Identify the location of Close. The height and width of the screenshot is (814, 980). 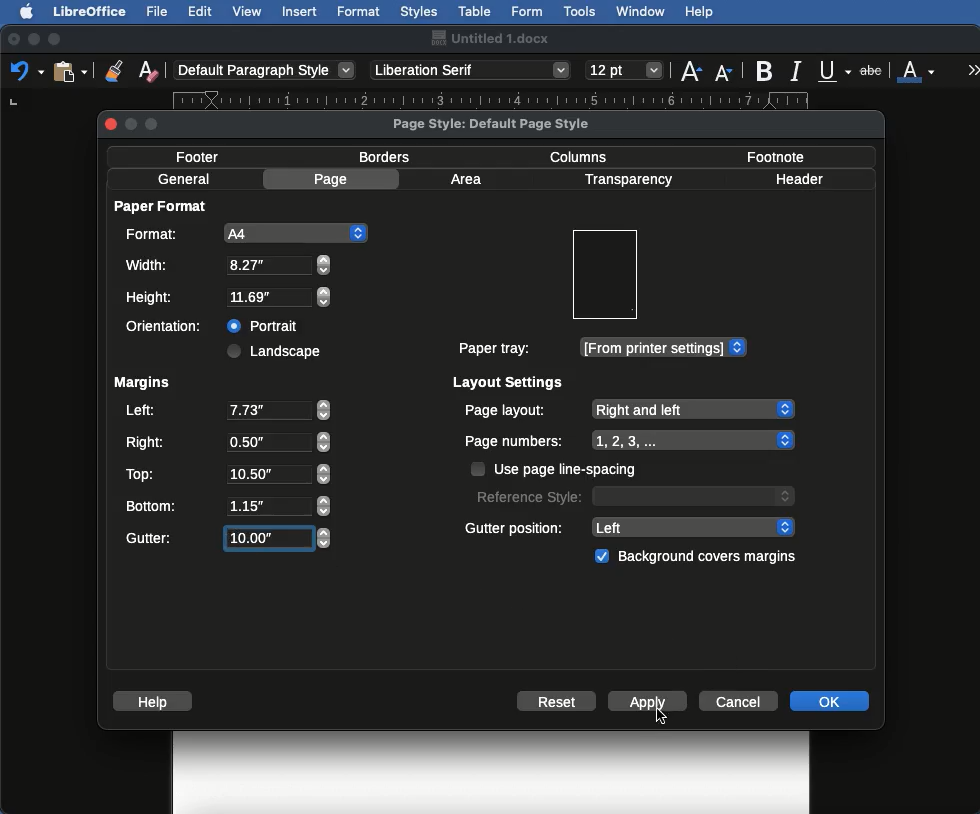
(14, 40).